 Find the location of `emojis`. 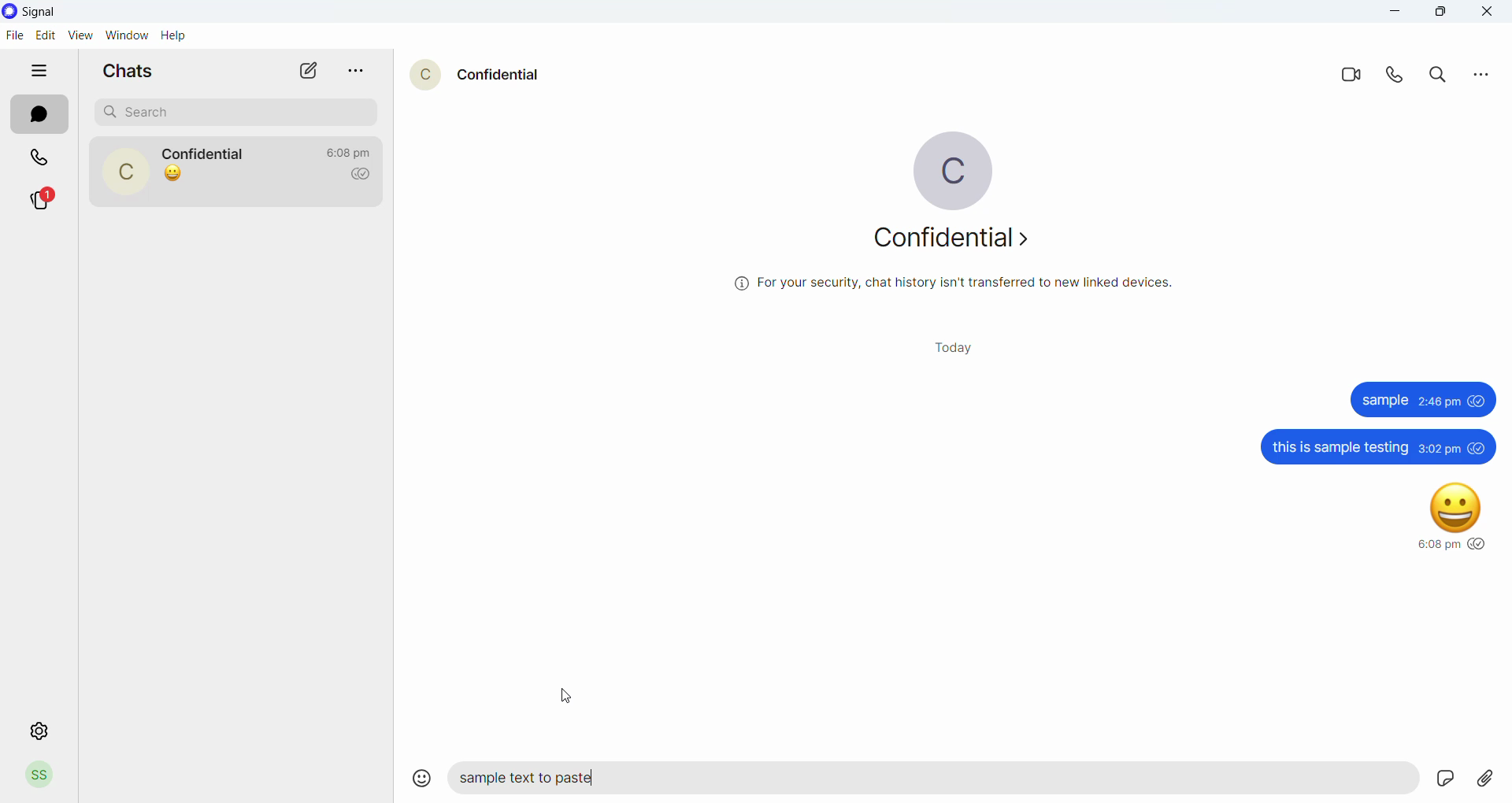

emojis is located at coordinates (417, 775).